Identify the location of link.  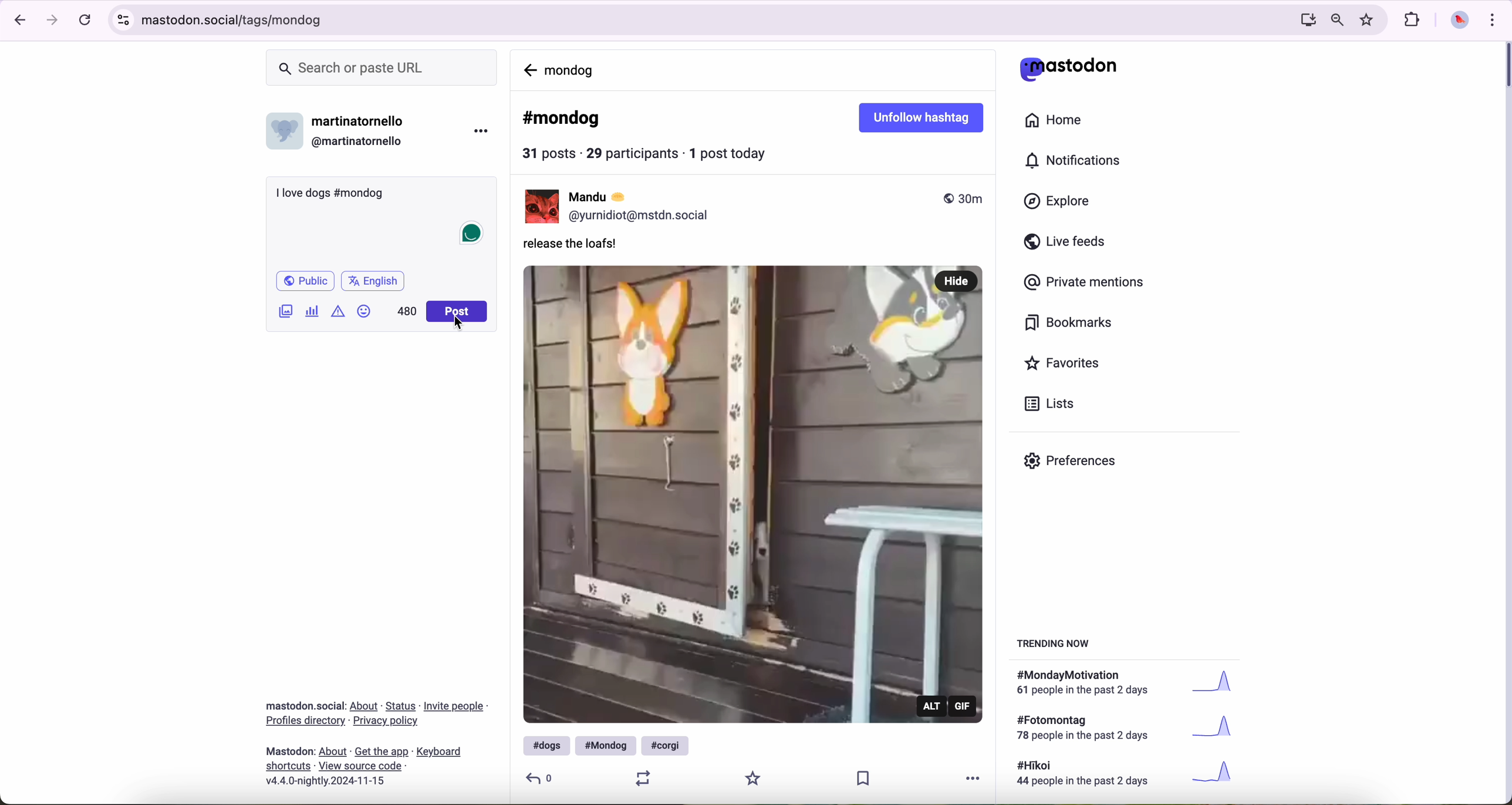
(360, 765).